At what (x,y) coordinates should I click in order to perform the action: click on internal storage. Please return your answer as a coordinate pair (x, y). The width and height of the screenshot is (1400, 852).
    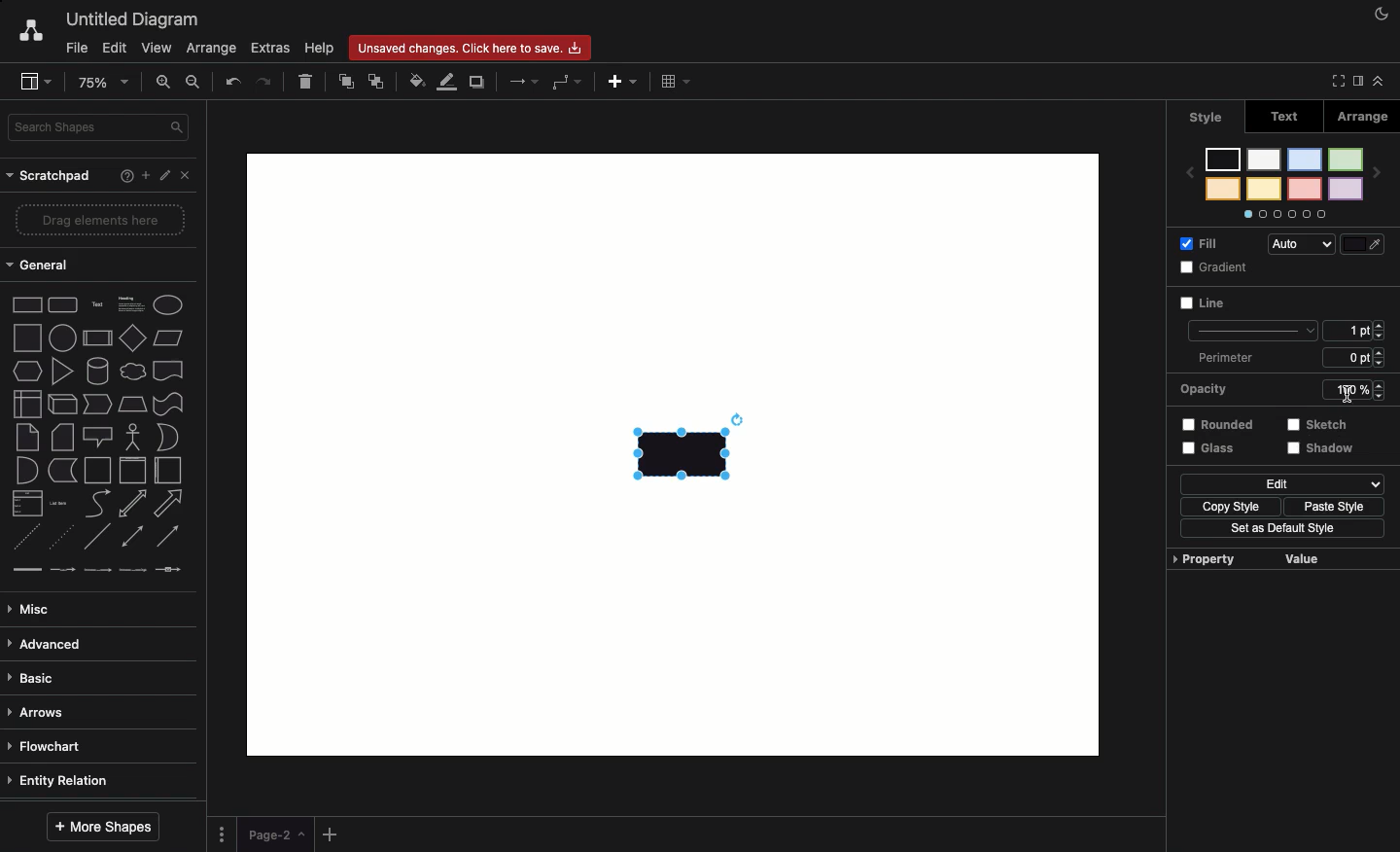
    Looking at the image, I should click on (22, 405).